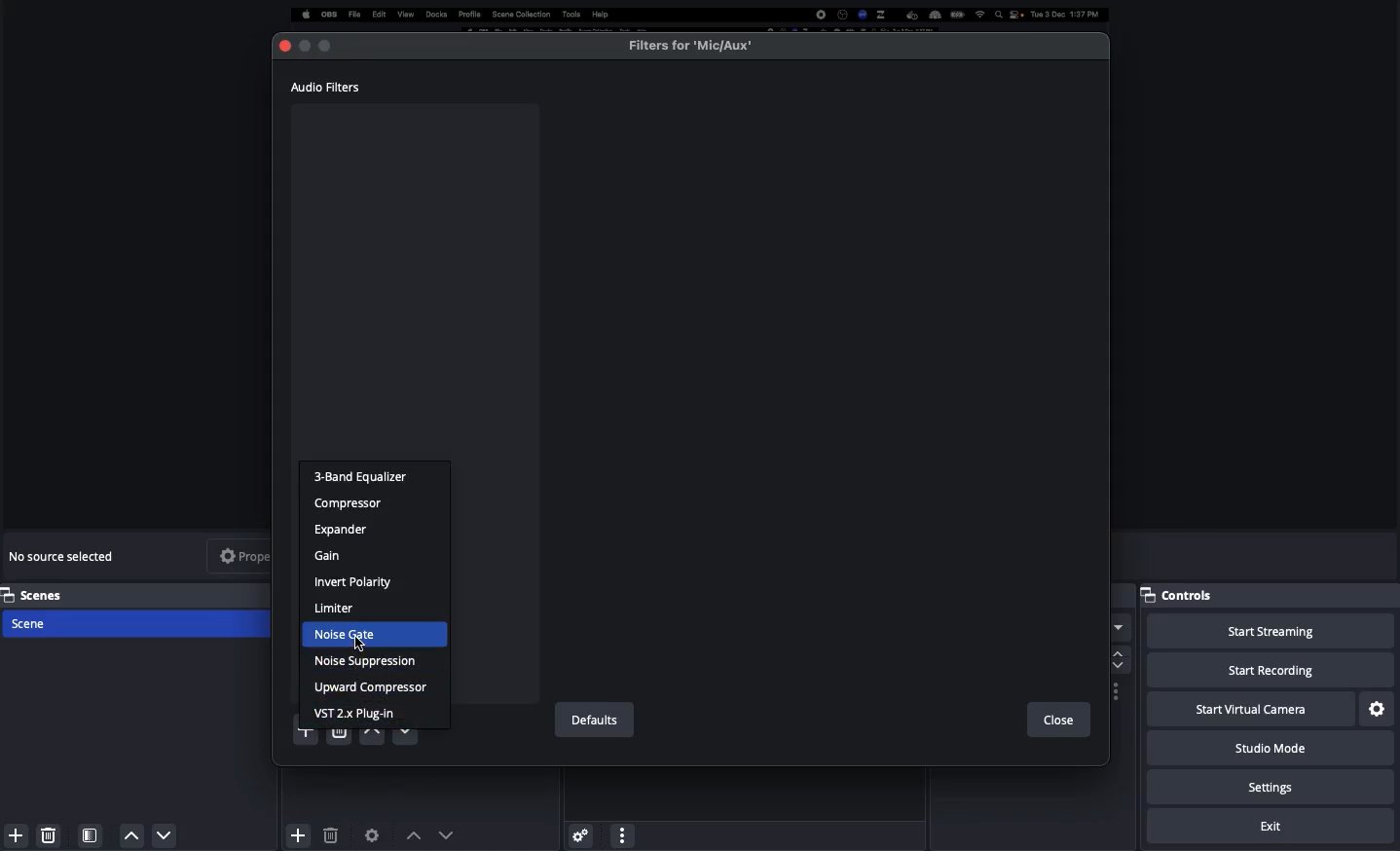 The image size is (1400, 851). What do you see at coordinates (1117, 692) in the screenshot?
I see `Settings / options` at bounding box center [1117, 692].